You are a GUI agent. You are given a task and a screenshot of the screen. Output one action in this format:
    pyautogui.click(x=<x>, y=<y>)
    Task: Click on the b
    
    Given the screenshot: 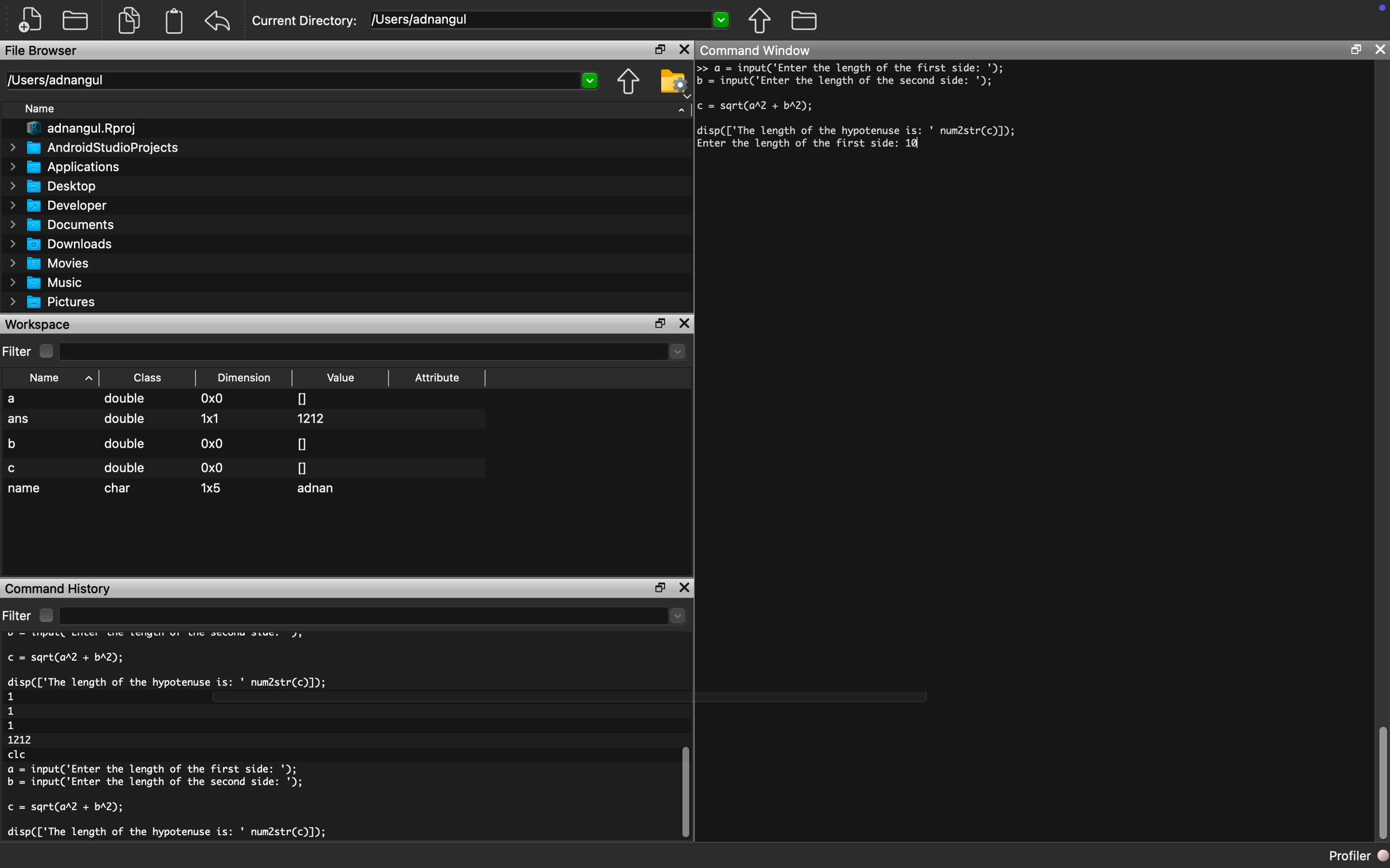 What is the action you would take?
    pyautogui.click(x=17, y=442)
    